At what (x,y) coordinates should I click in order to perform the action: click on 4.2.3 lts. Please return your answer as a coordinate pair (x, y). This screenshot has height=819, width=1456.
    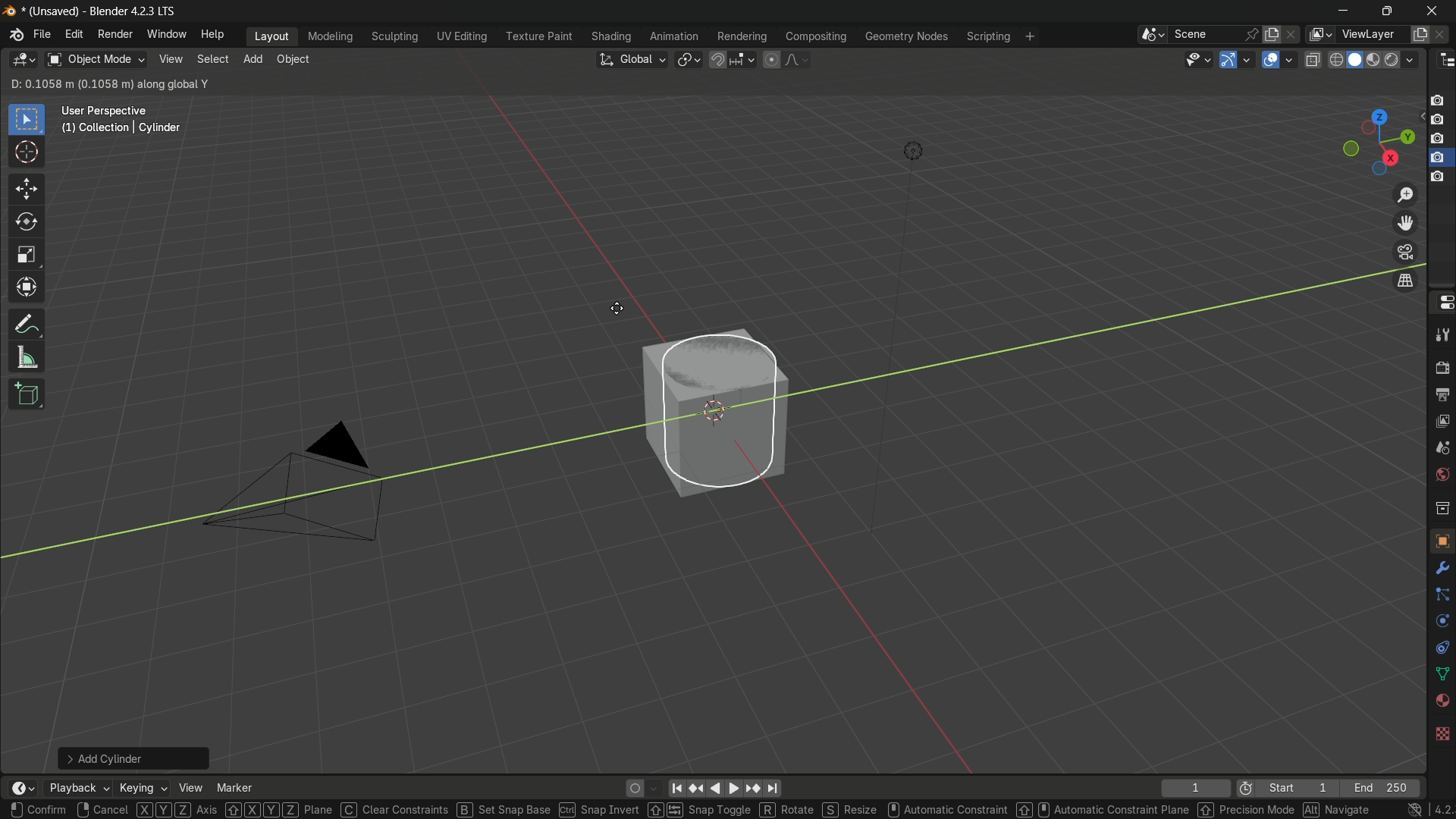
    Looking at the image, I should click on (1419, 810).